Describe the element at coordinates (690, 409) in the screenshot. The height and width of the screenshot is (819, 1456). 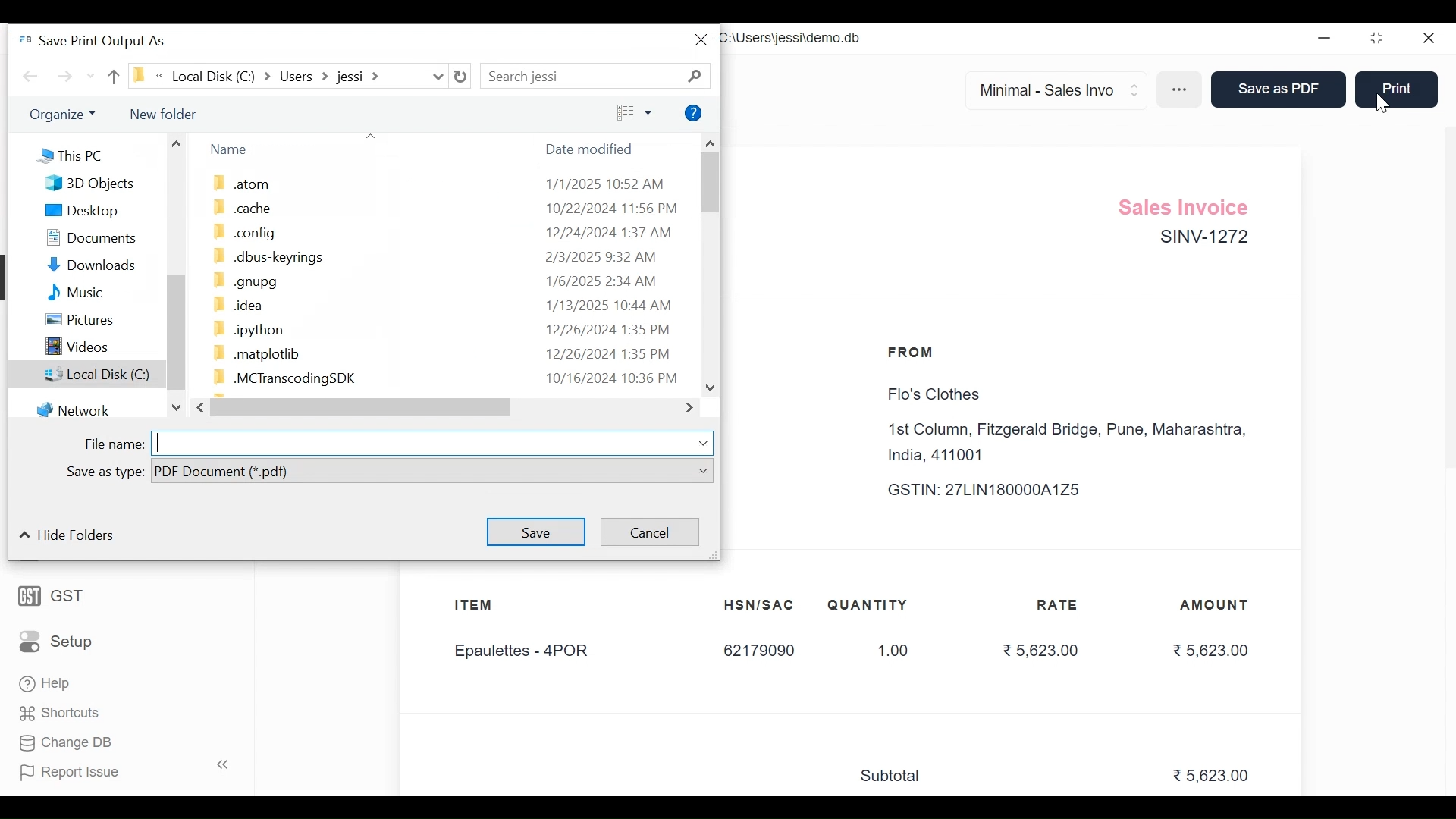
I see `Expand` at that location.